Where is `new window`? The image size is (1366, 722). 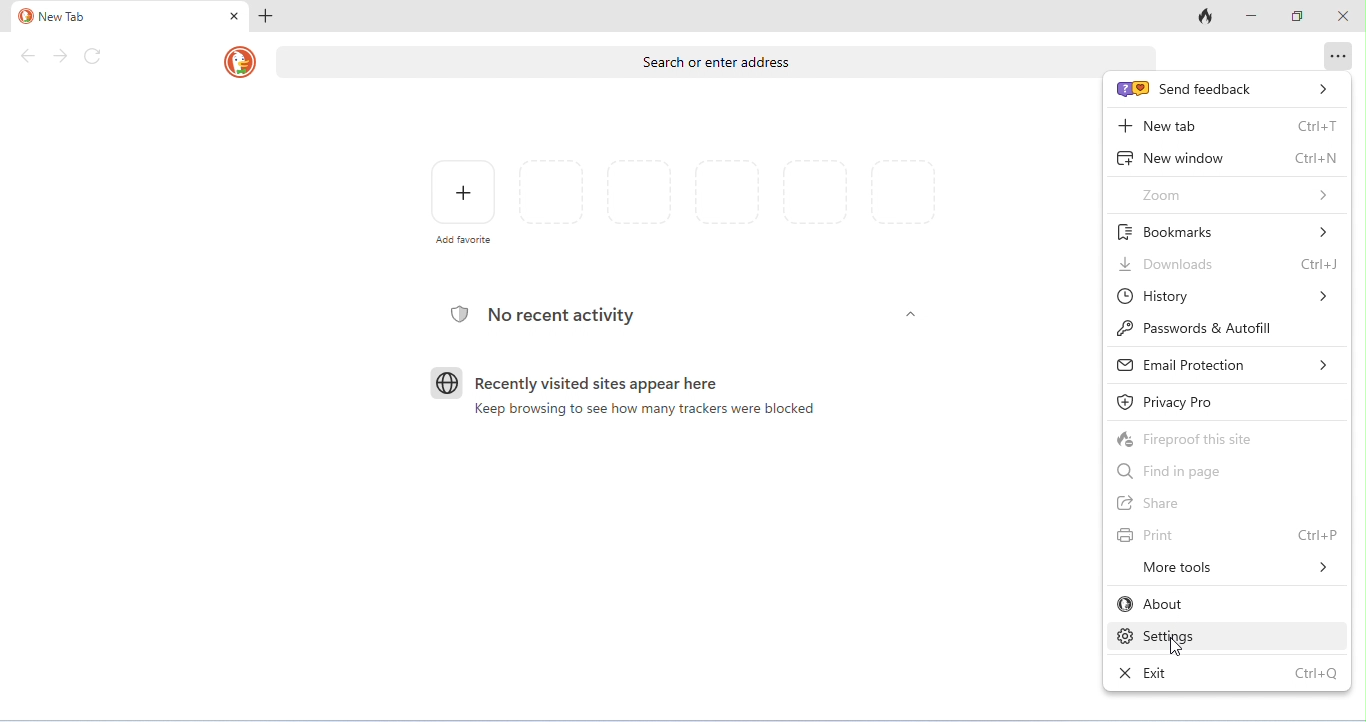
new window is located at coordinates (1224, 158).